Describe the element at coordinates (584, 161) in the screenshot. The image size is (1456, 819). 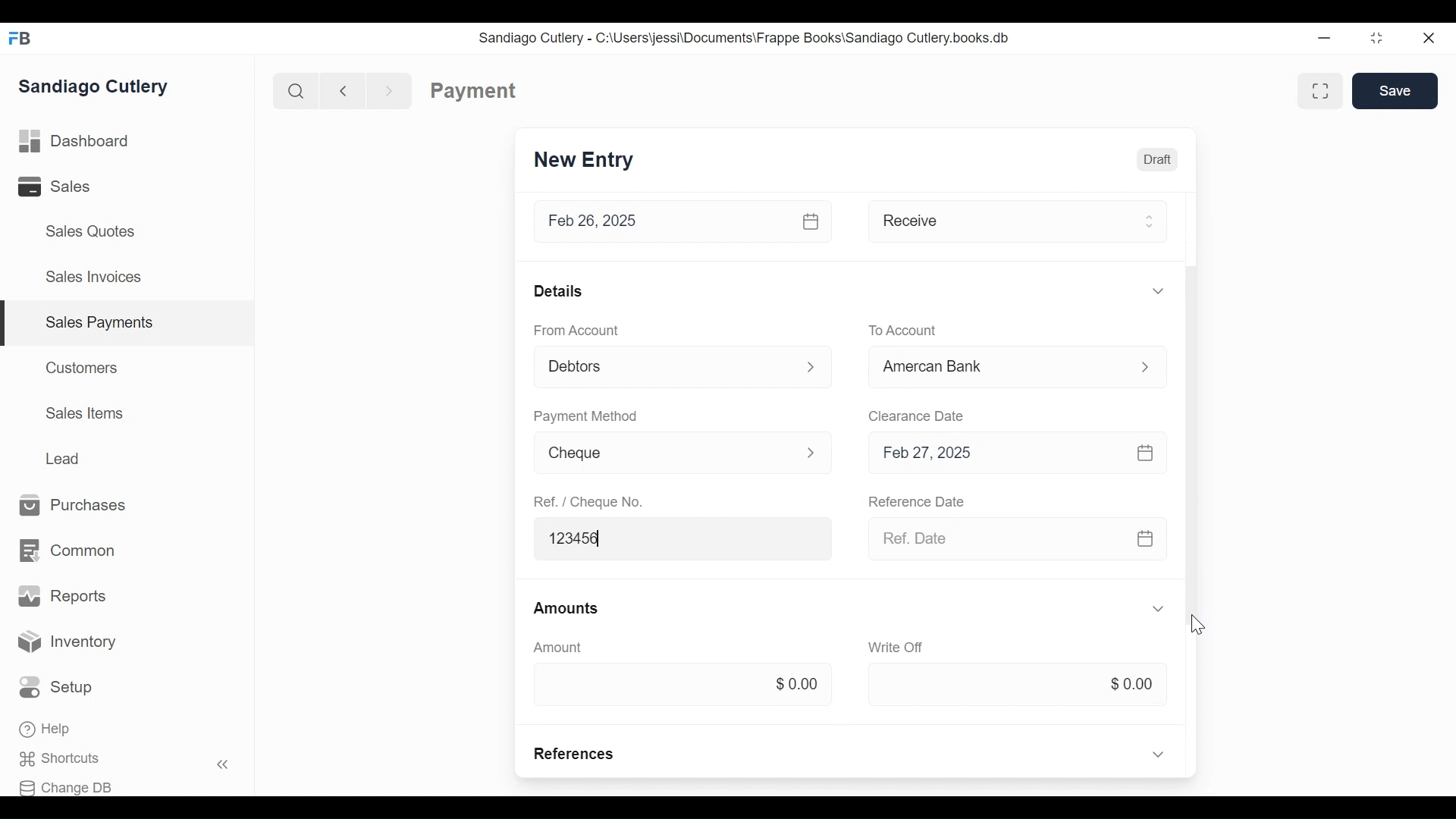
I see `New Entry` at that location.